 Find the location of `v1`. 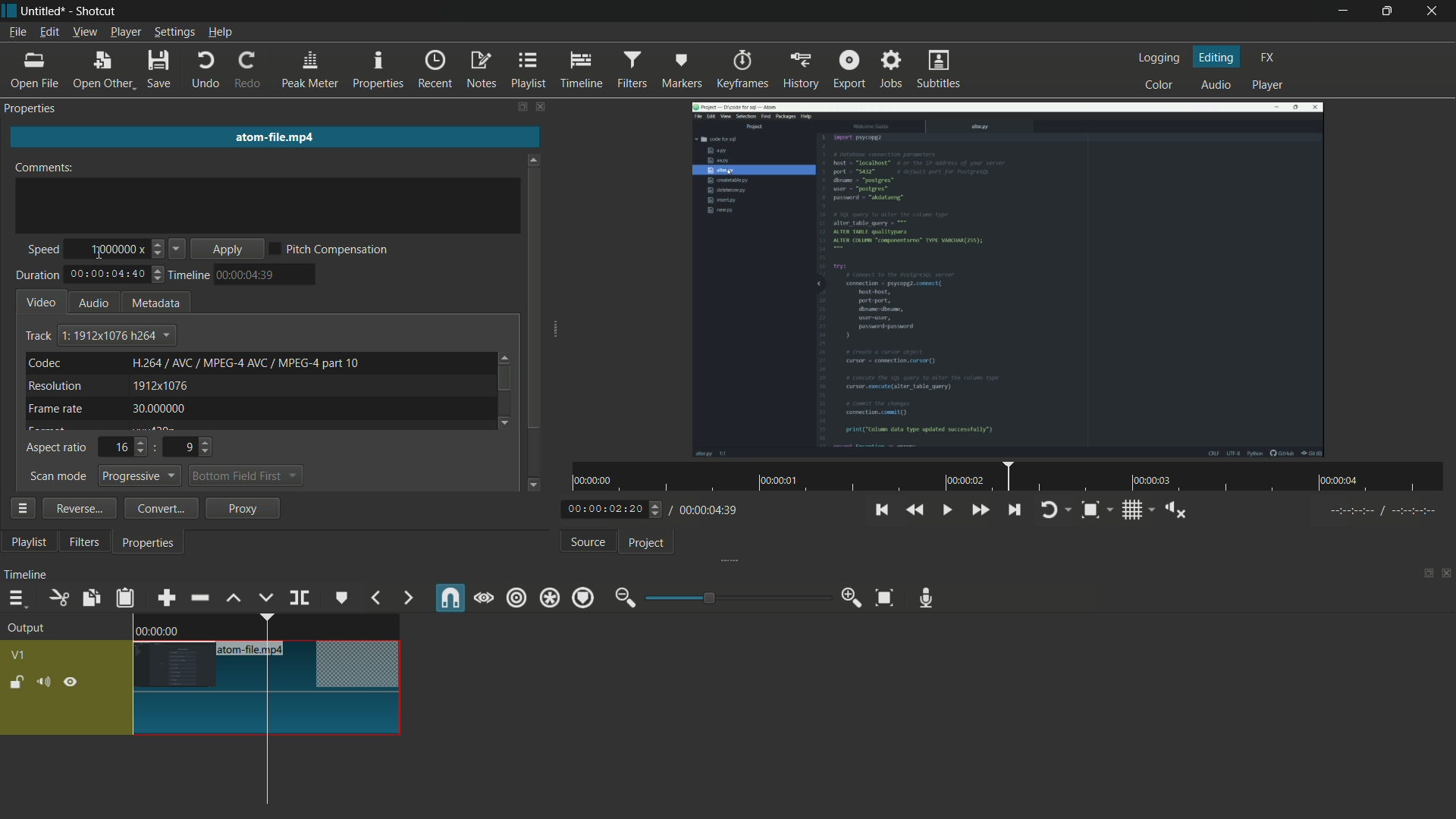

v1 is located at coordinates (17, 657).